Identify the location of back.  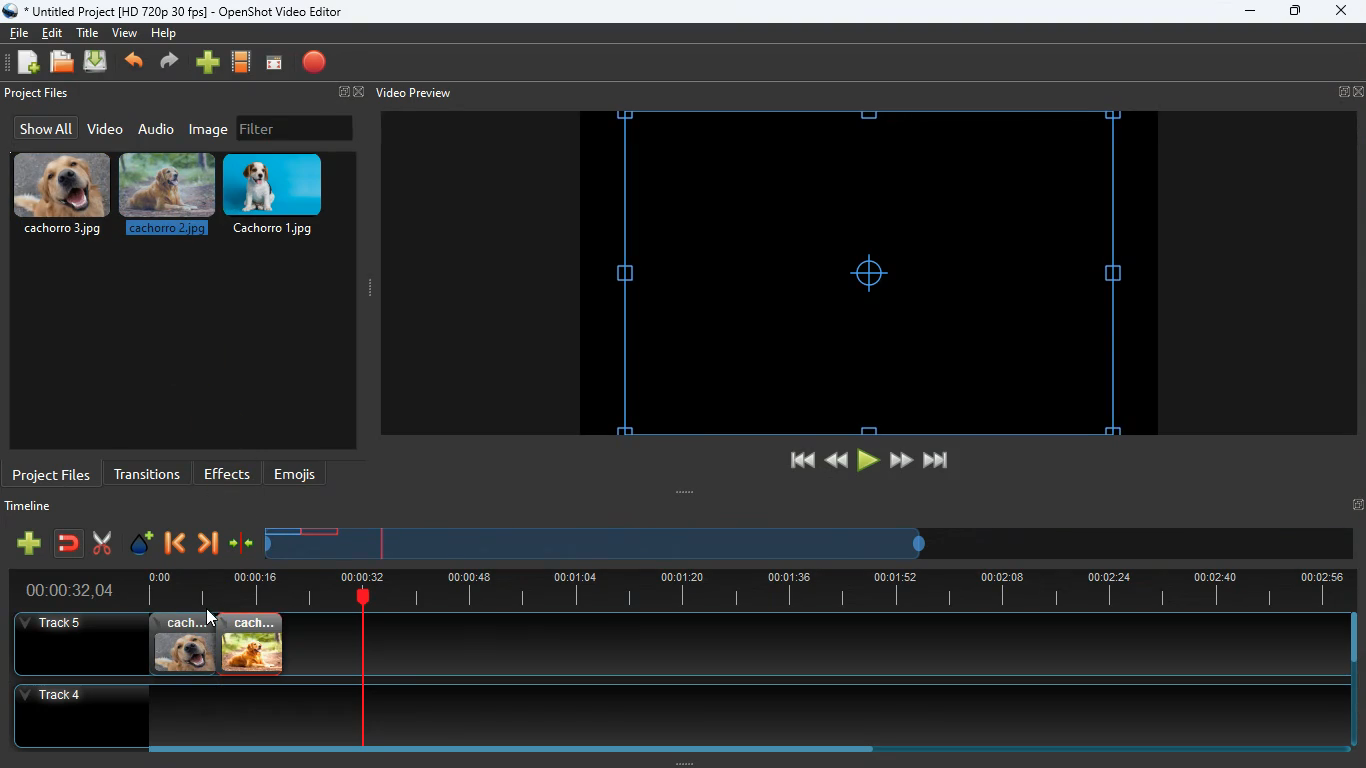
(173, 545).